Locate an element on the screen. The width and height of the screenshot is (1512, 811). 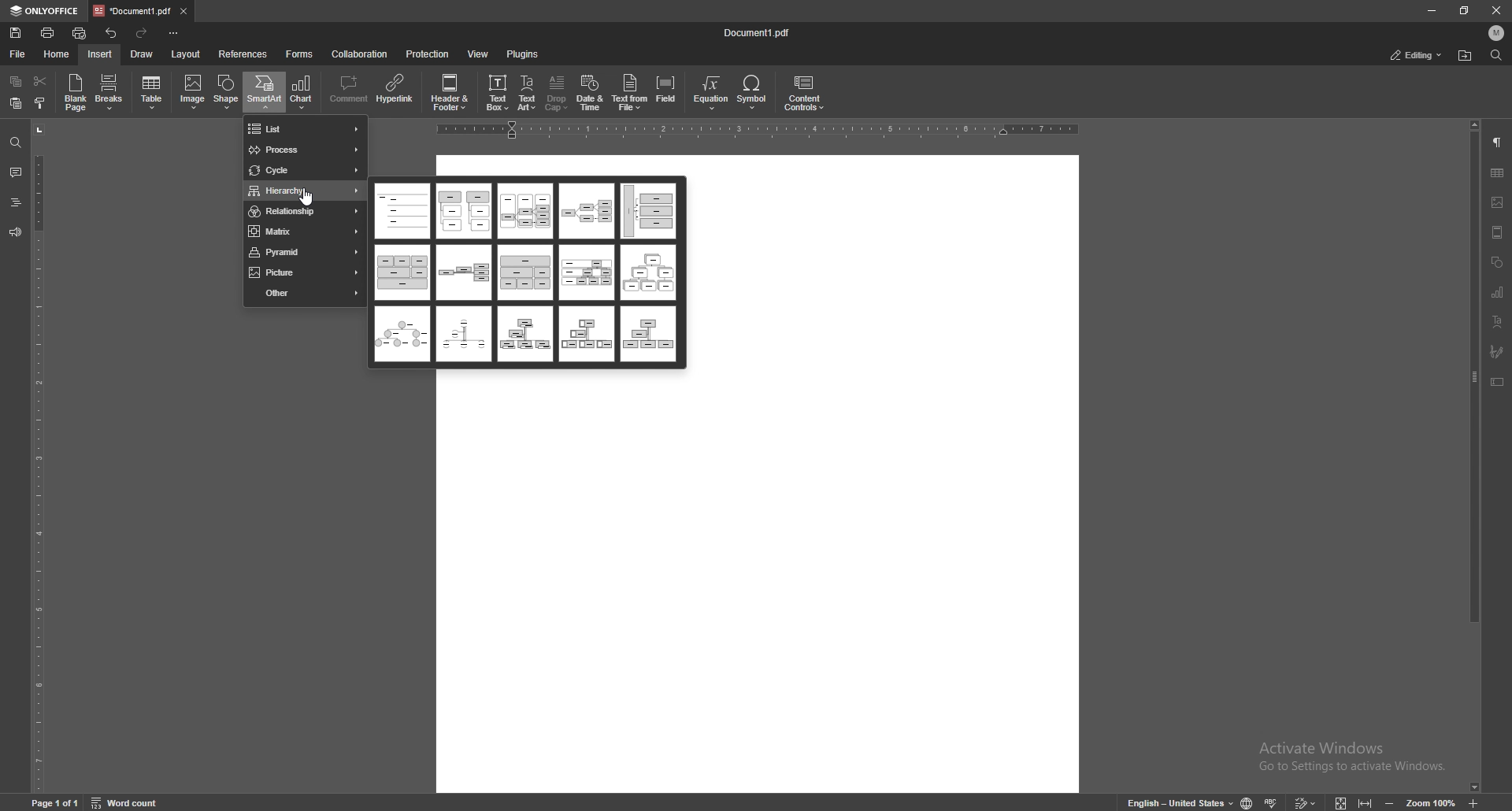
date and time is located at coordinates (591, 93).